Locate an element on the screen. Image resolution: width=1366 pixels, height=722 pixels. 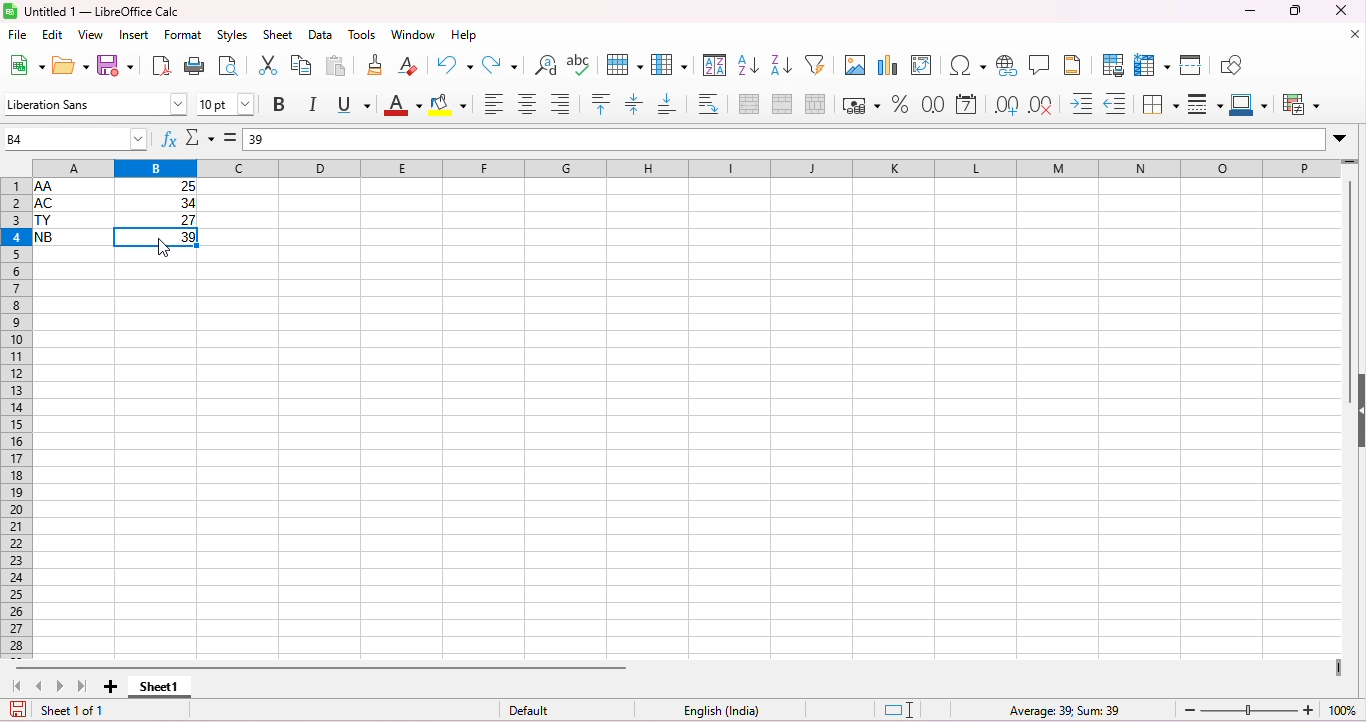
unmerge is located at coordinates (813, 103).